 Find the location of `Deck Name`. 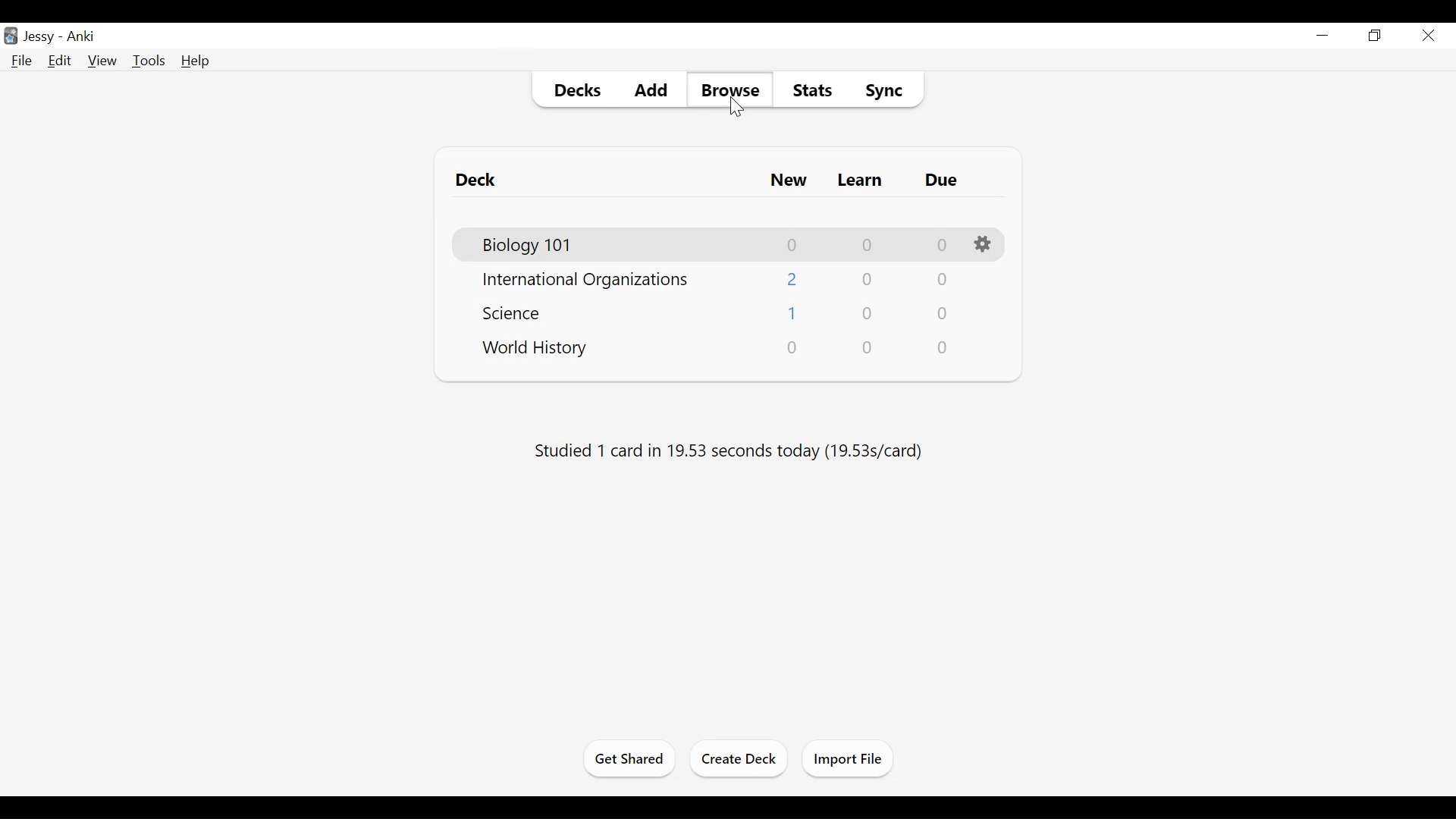

Deck Name is located at coordinates (530, 246).